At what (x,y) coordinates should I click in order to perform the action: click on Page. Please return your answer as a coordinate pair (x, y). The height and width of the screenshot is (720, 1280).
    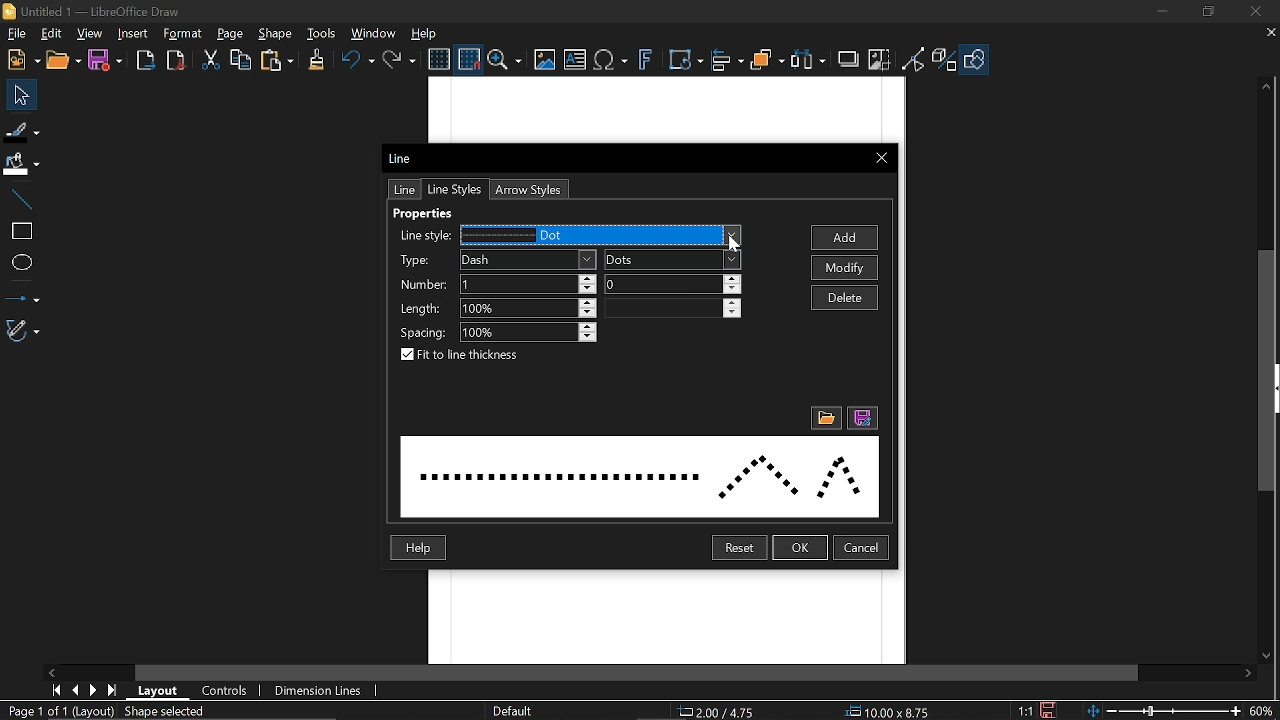
    Looking at the image, I should click on (230, 35).